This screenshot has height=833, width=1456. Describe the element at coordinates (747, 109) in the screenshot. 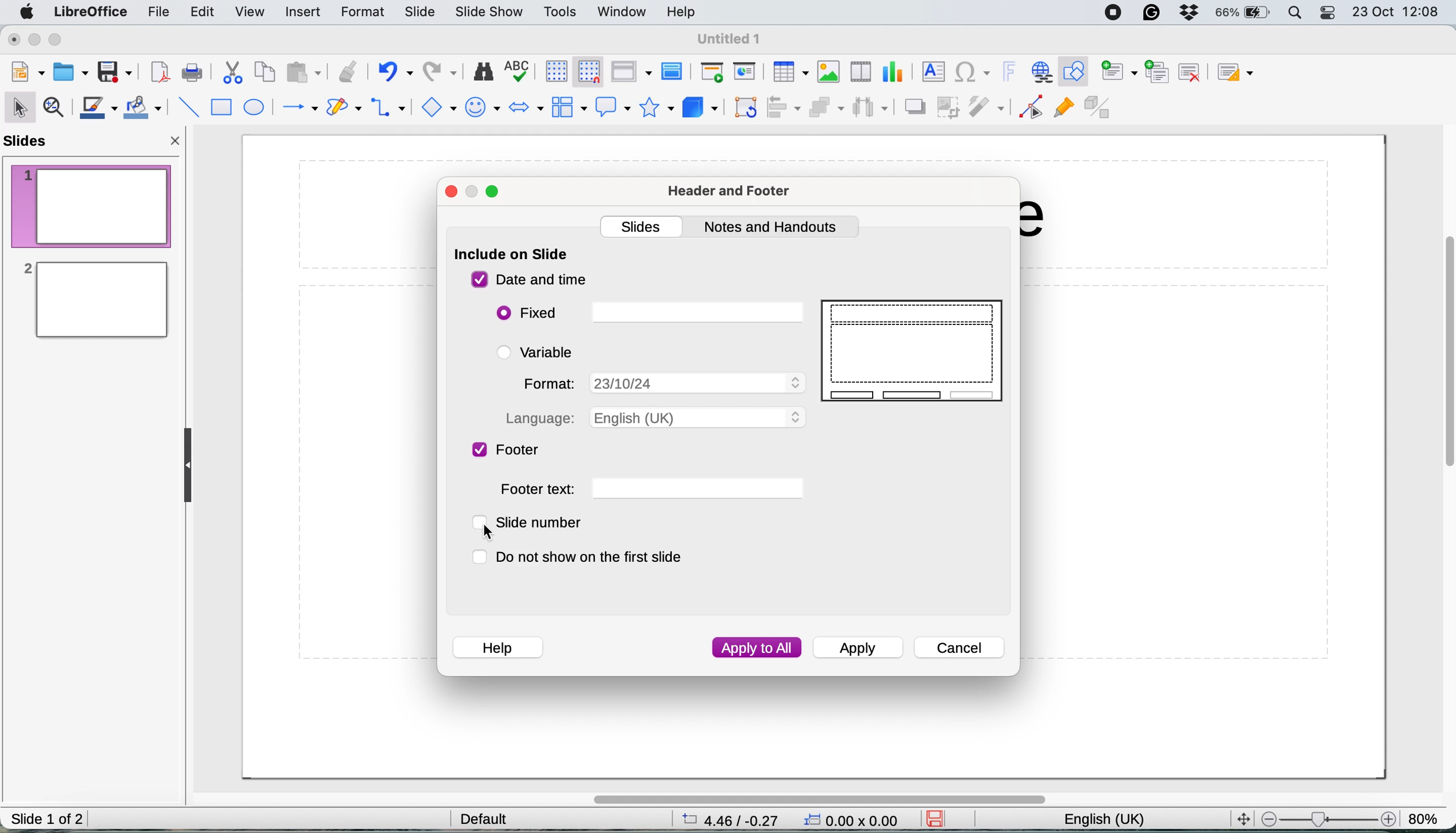

I see `transformations` at that location.